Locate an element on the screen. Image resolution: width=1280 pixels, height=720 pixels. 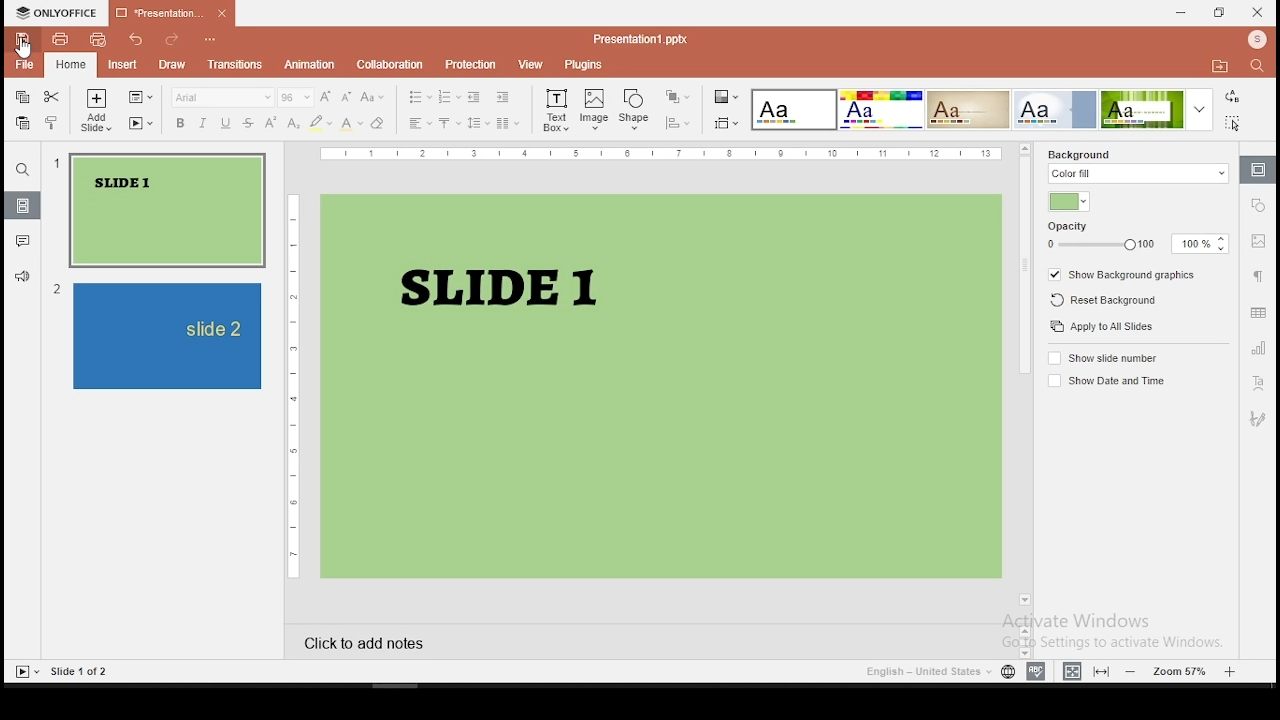
slide 2 preview is located at coordinates (159, 336).